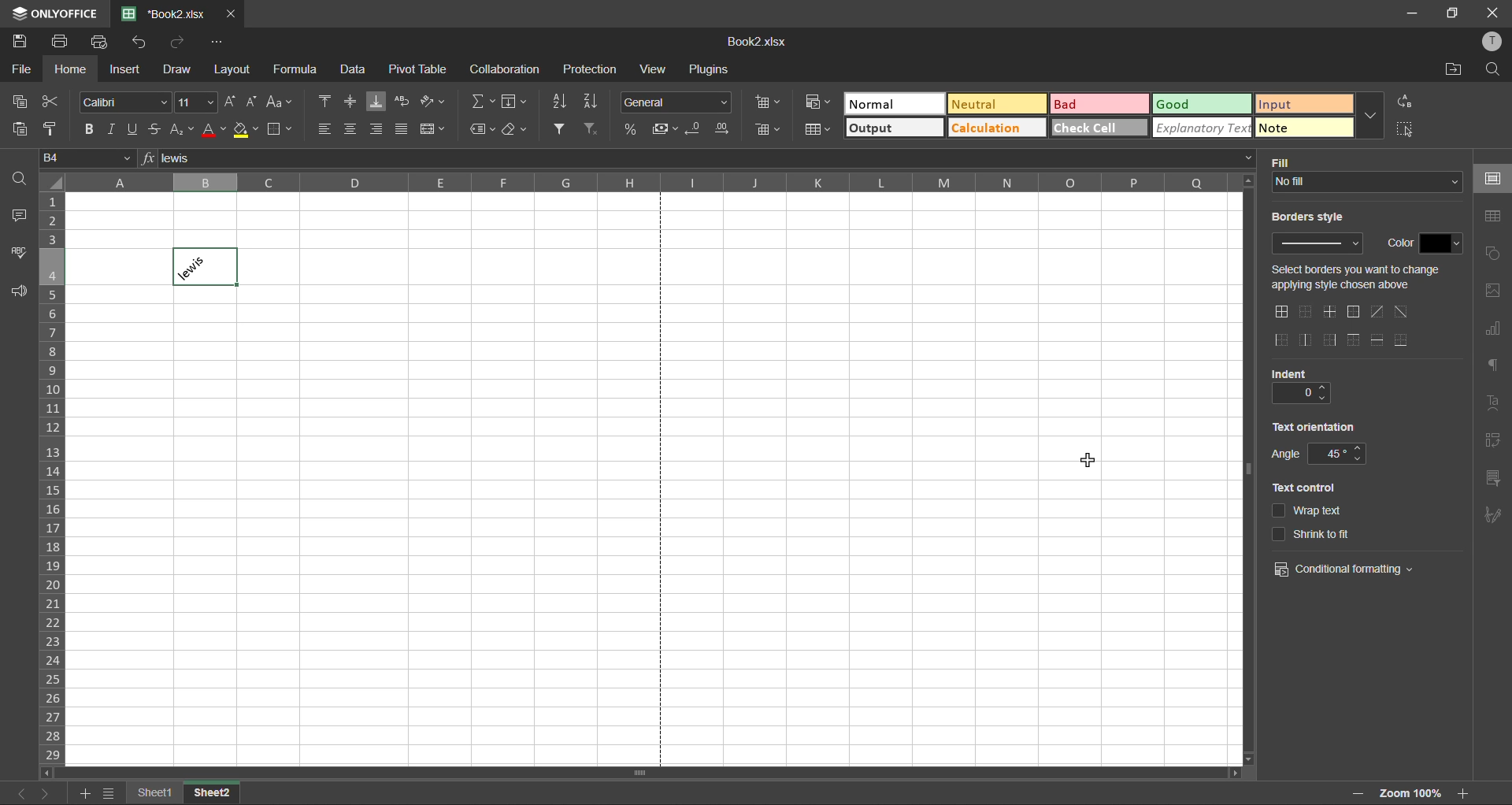 This screenshot has height=805, width=1512. I want to click on align left, so click(328, 128).